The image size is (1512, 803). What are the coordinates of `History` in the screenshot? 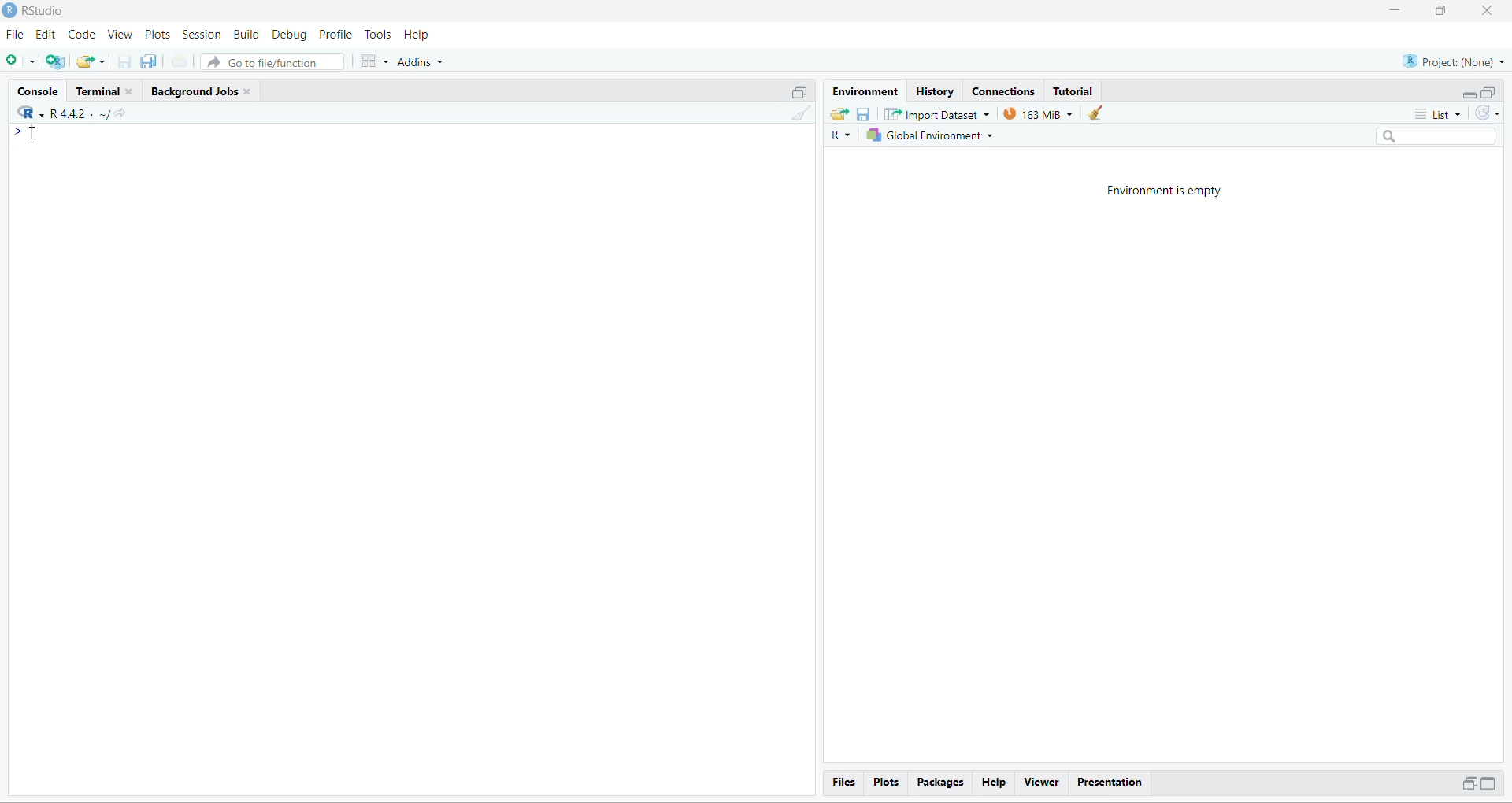 It's located at (935, 90).